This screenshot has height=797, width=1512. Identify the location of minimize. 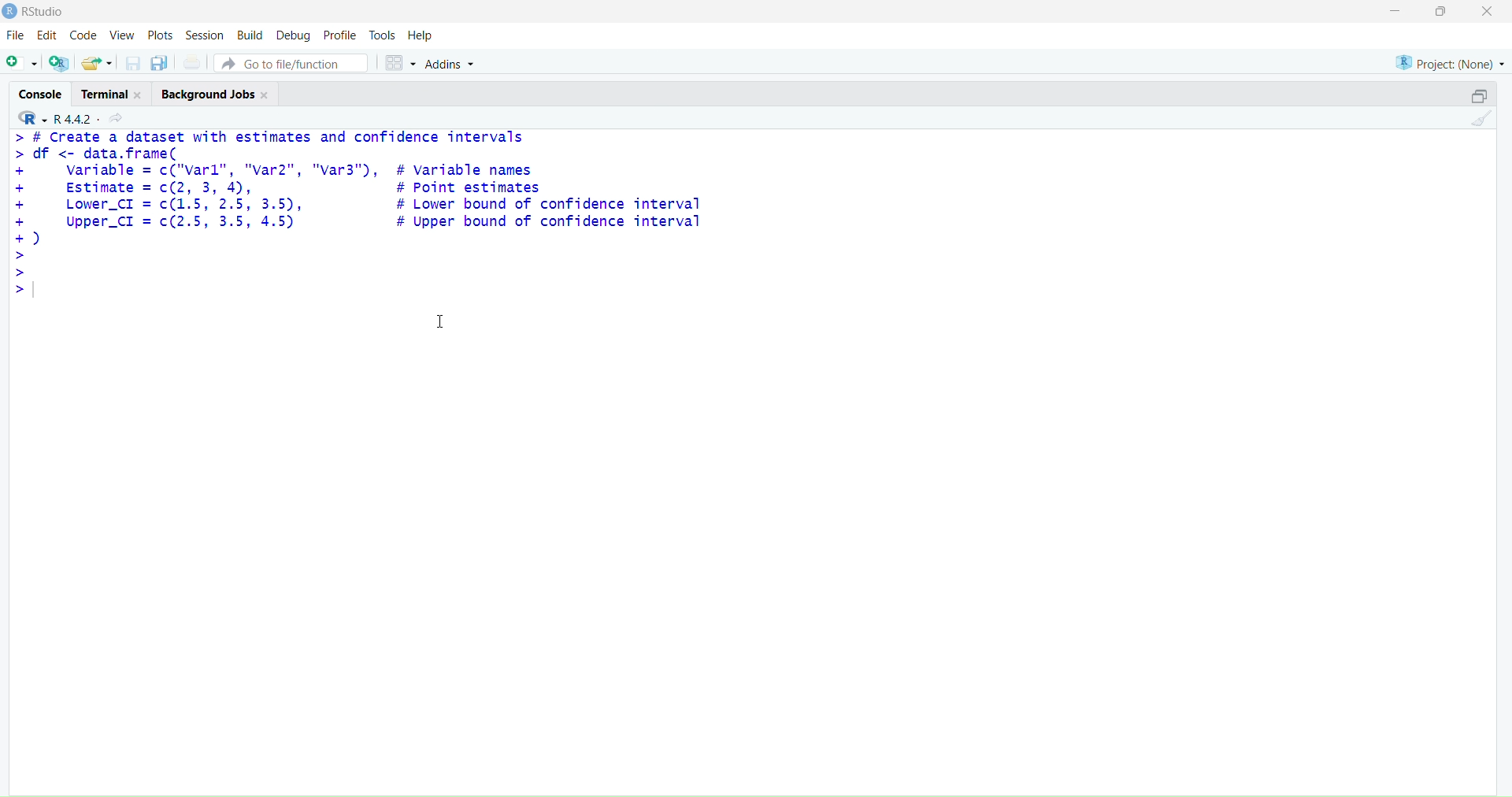
(1396, 11).